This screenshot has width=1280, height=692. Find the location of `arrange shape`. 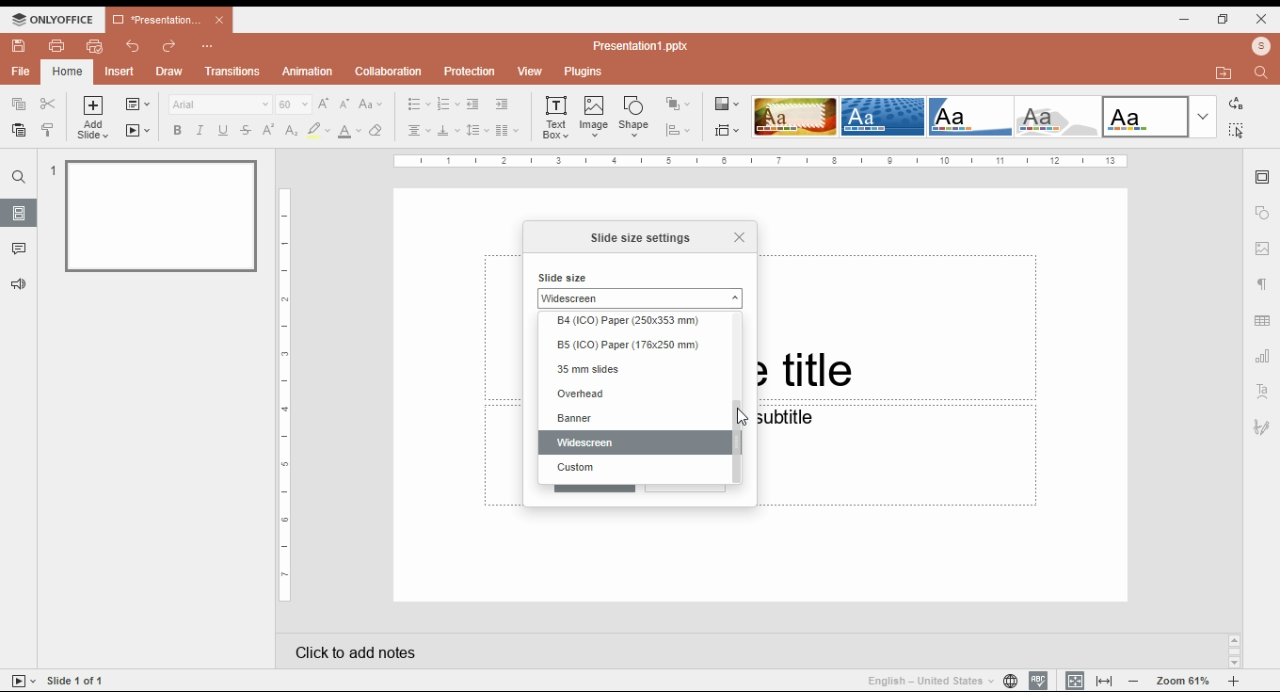

arrange shape is located at coordinates (677, 104).